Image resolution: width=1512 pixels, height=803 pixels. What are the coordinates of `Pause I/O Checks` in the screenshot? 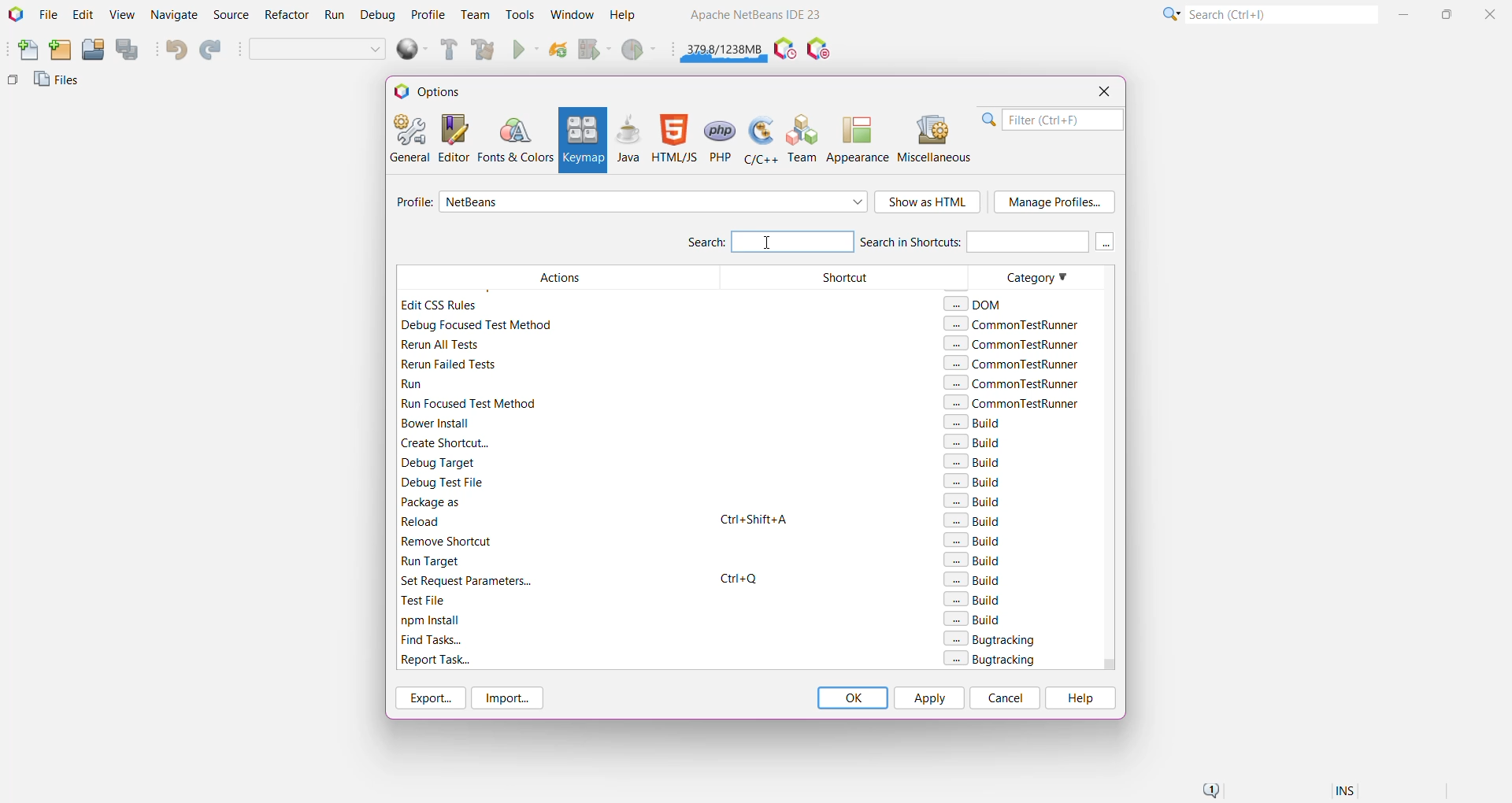 It's located at (820, 50).